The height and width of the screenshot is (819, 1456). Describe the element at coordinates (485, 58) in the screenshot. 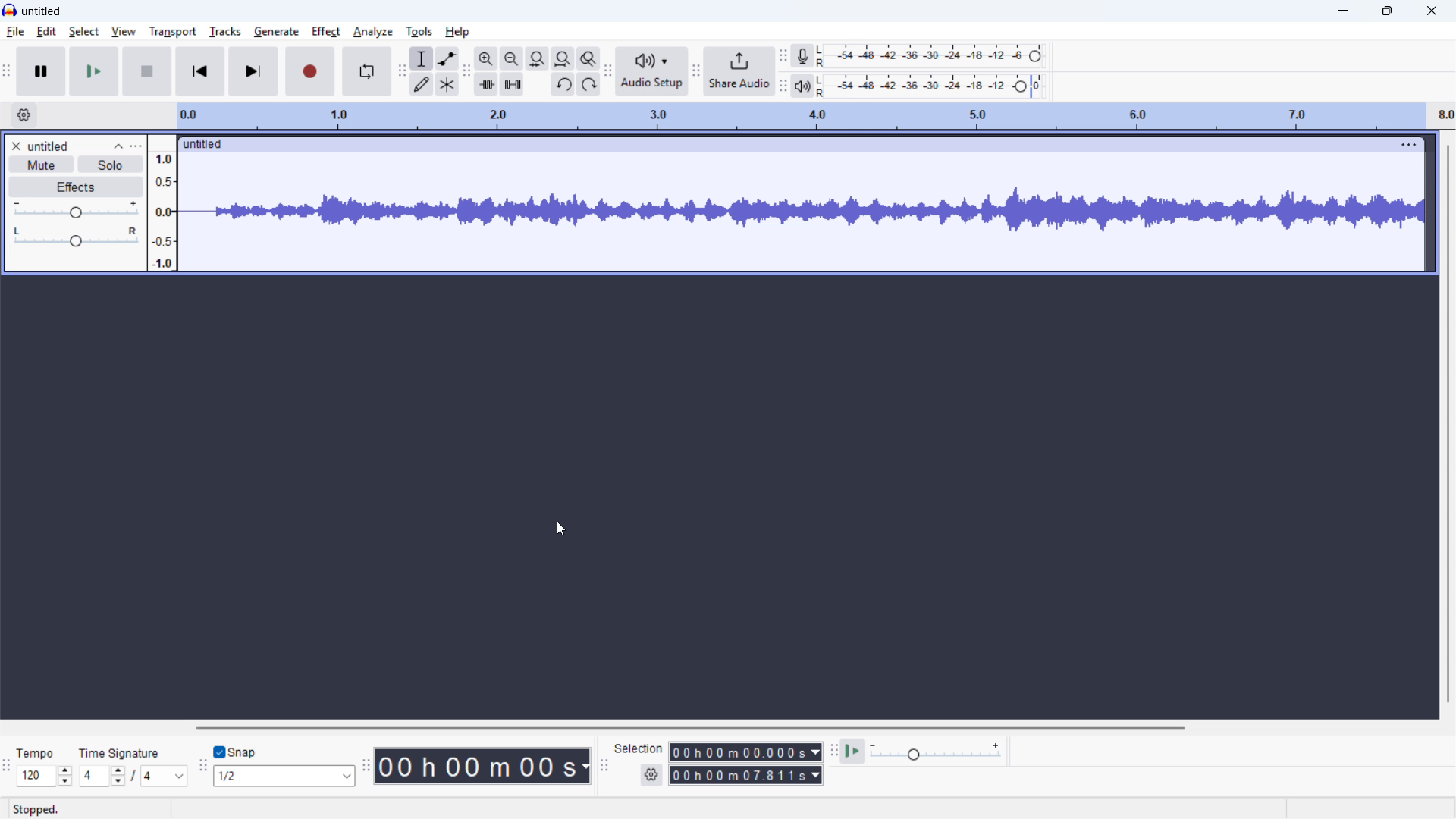

I see `Zoom in ` at that location.